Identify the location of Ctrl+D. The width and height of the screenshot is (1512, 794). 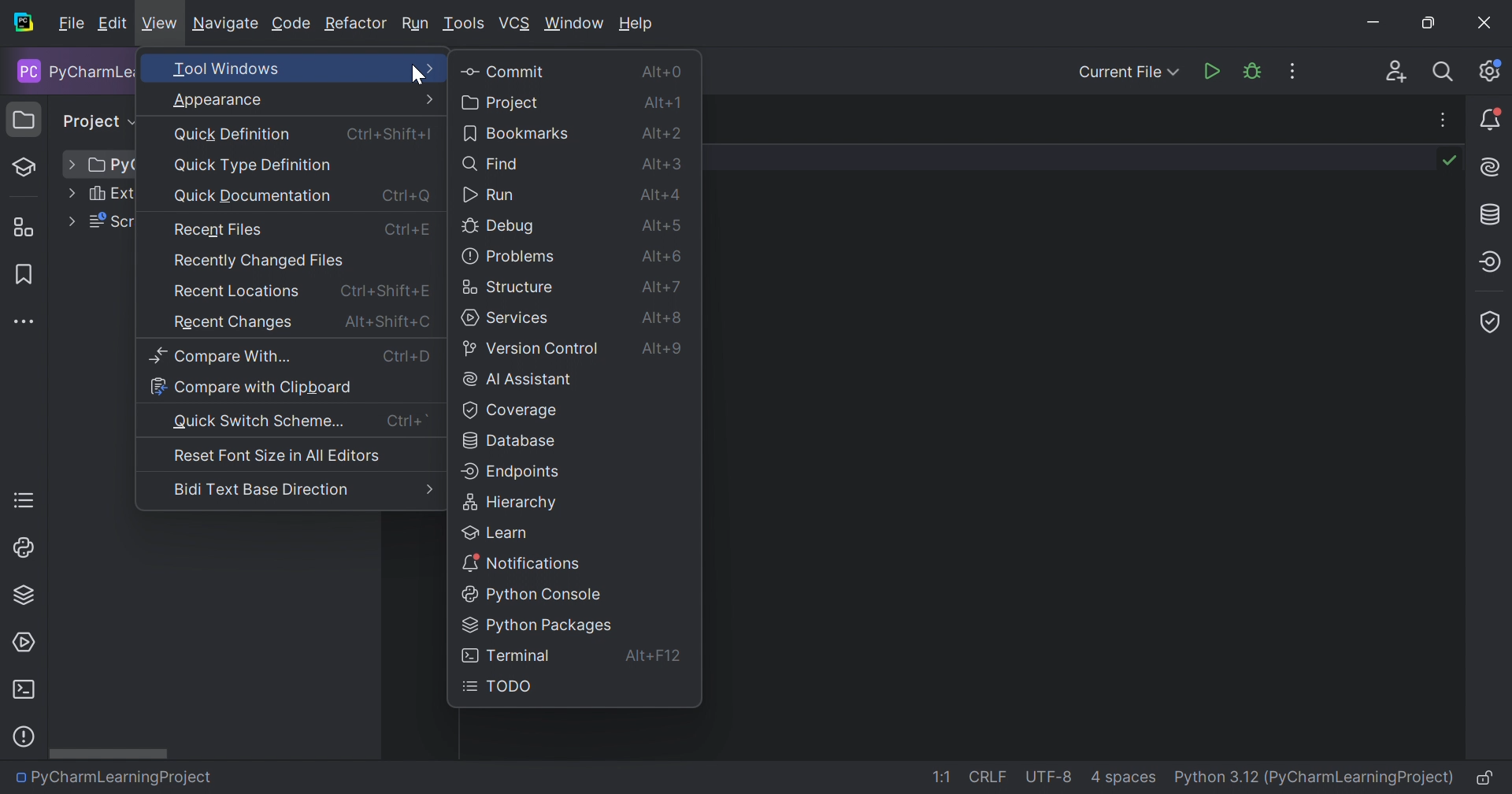
(408, 356).